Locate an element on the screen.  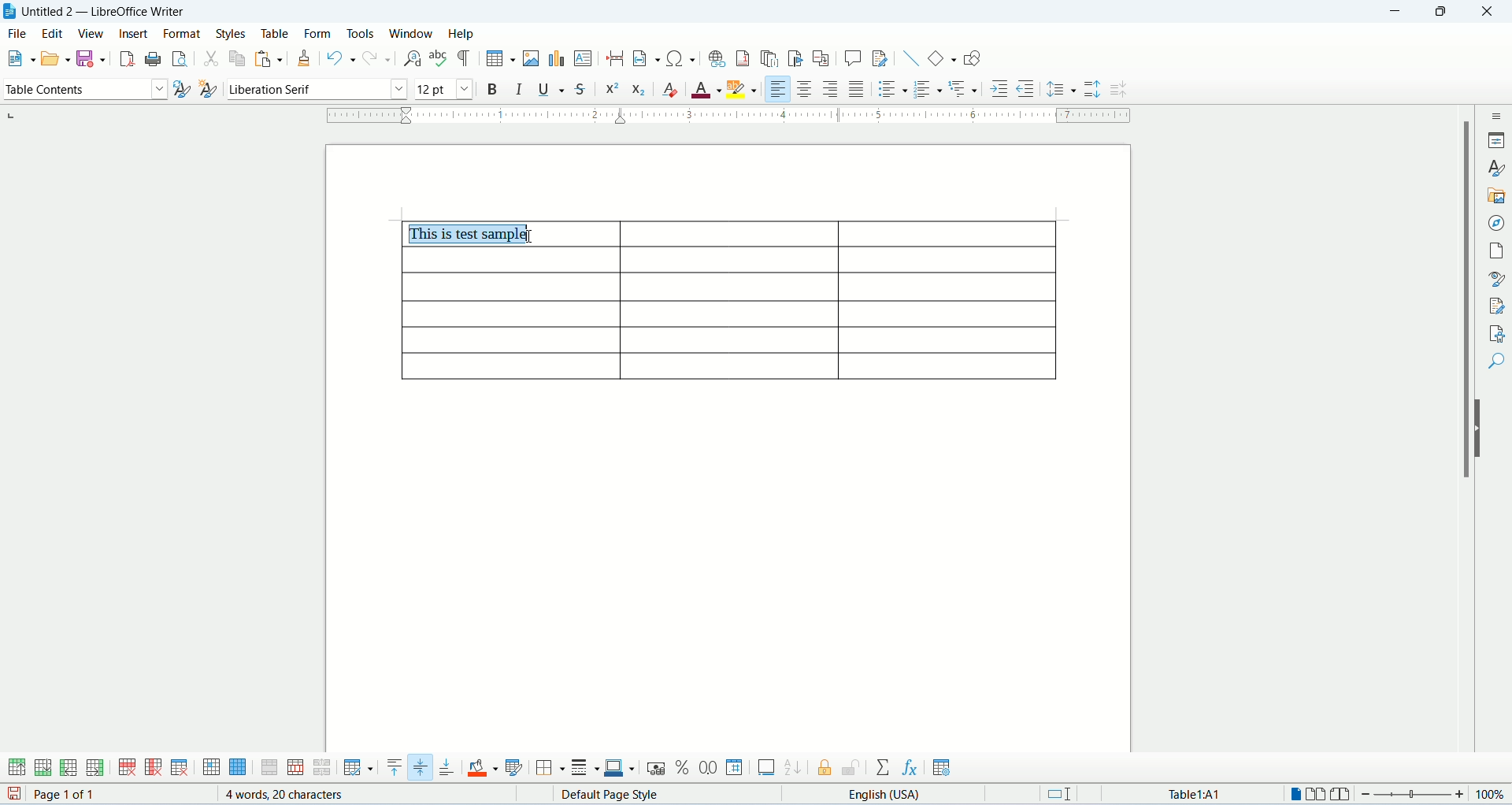
select table is located at coordinates (238, 770).